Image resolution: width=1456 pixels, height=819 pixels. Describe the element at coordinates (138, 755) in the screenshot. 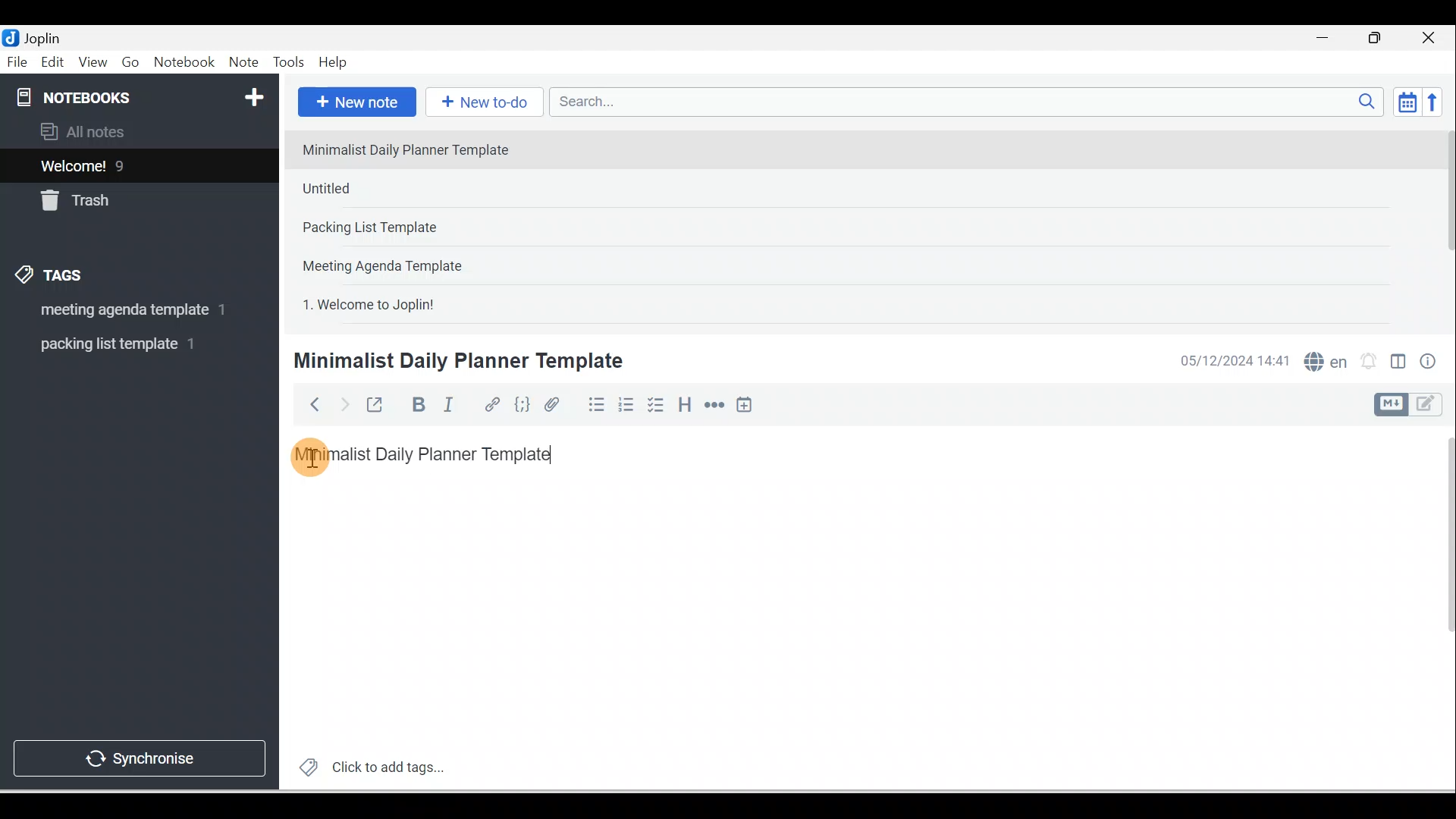

I see `Synchronise` at that location.